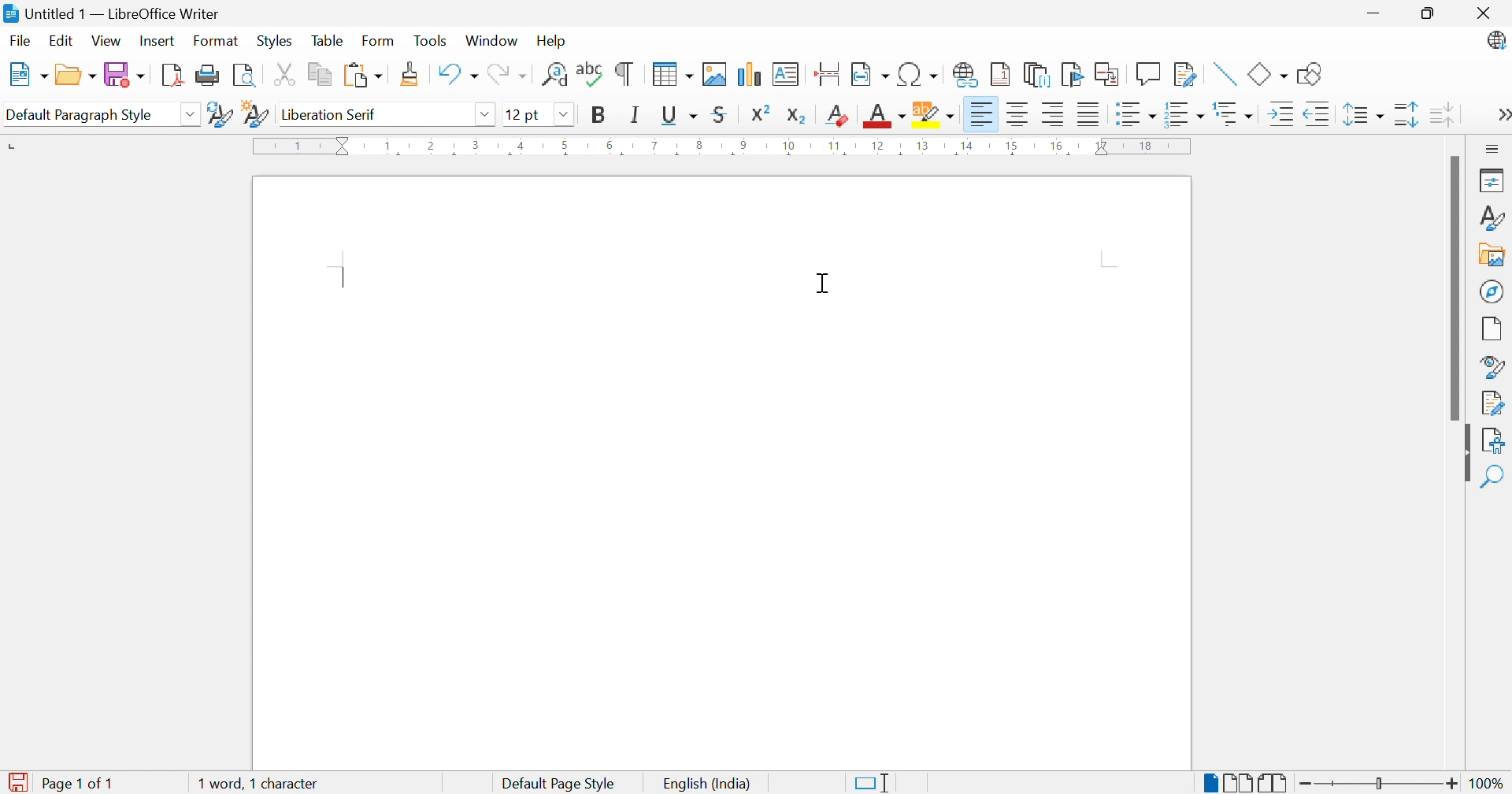 This screenshot has height=794, width=1512. I want to click on New Style From Selection, so click(258, 114).